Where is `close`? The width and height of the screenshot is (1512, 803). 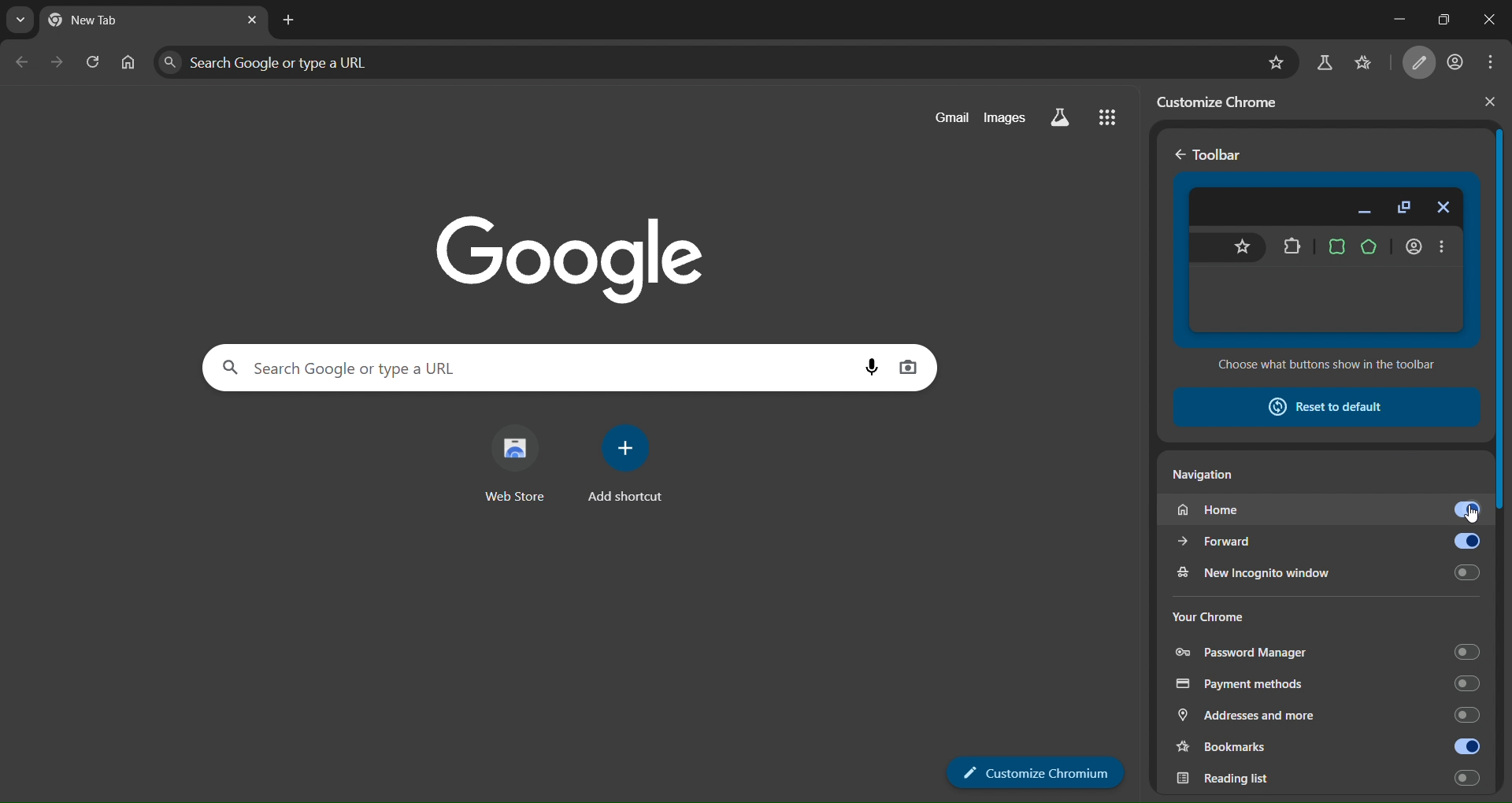 close is located at coordinates (1490, 102).